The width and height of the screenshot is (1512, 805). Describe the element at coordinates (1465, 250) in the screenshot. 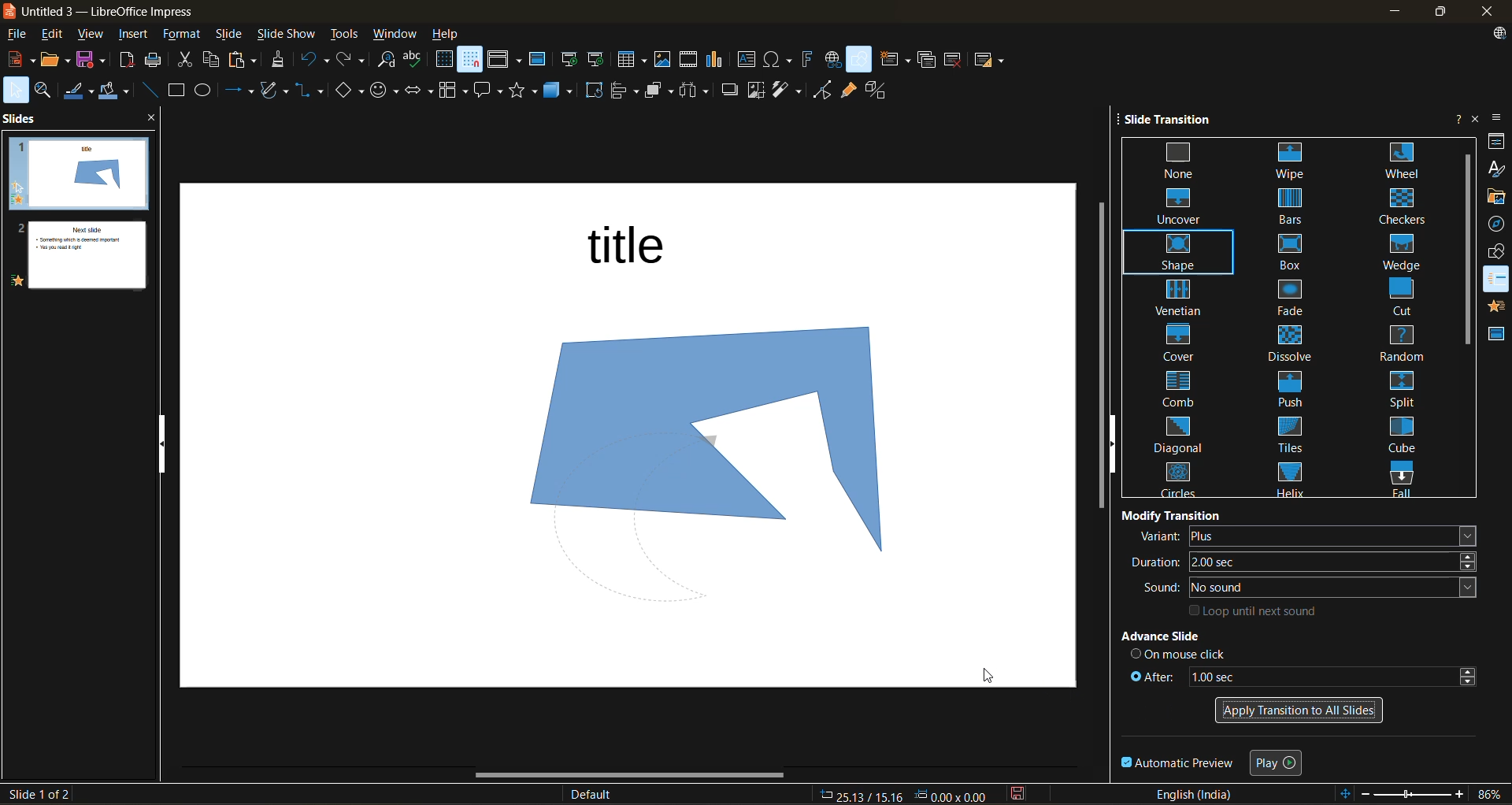

I see `vertical scroll bar` at that location.